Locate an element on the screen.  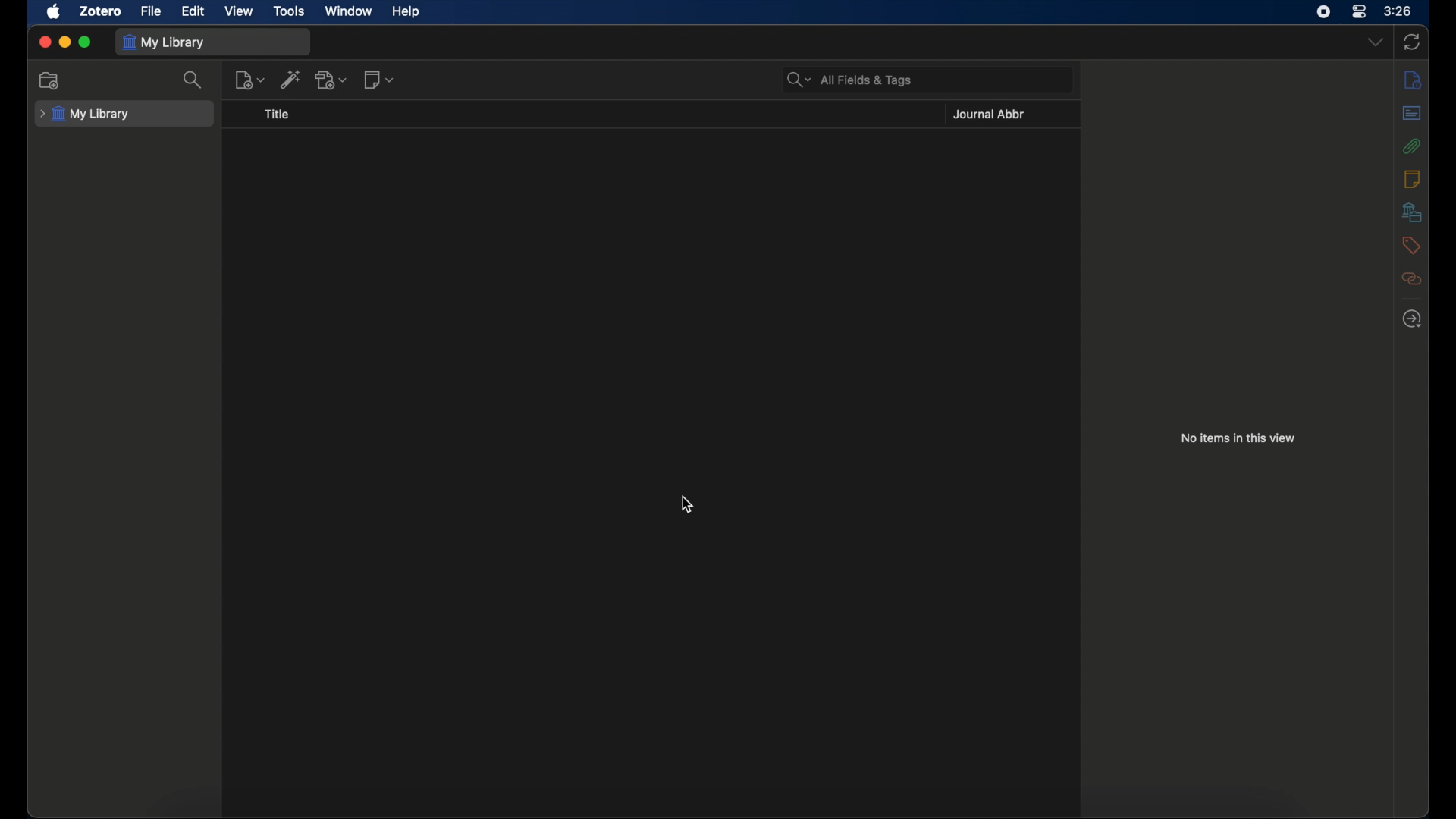
cursor is located at coordinates (687, 506).